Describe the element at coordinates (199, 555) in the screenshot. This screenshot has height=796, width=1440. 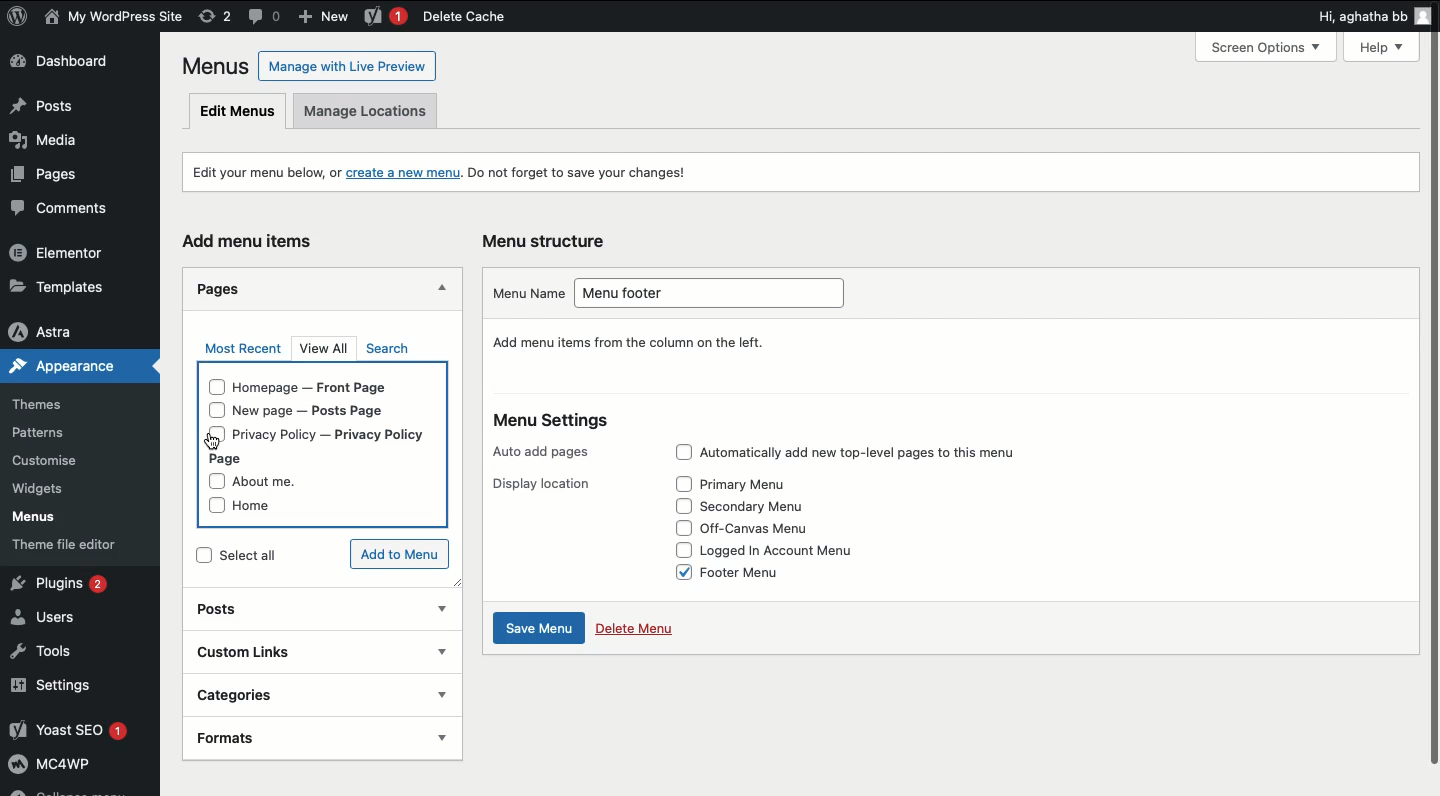
I see `checkbox` at that location.